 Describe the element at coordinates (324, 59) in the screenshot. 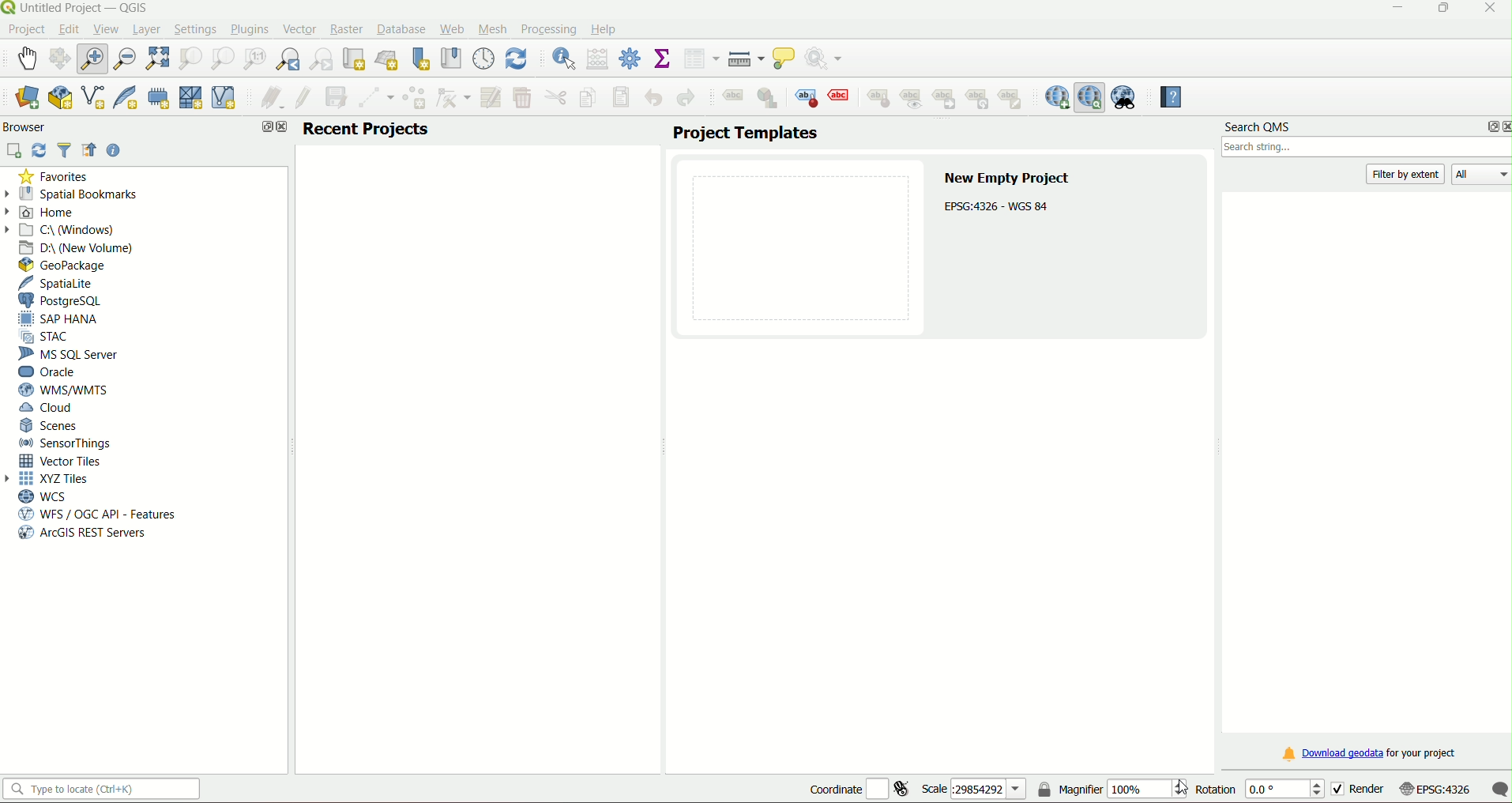

I see `zoom next` at that location.